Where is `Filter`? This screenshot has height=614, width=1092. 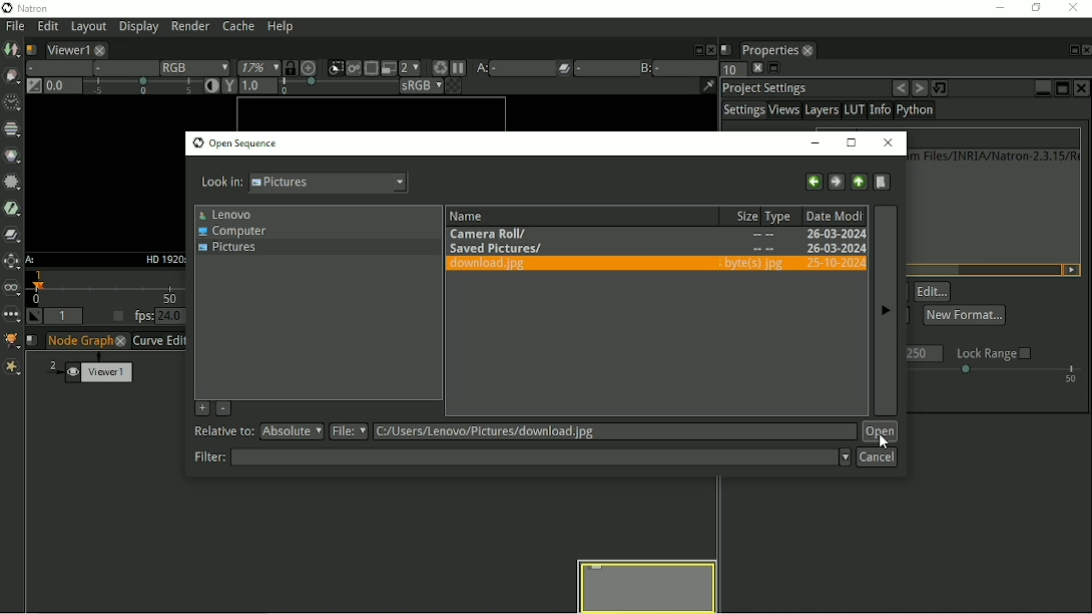 Filter is located at coordinates (520, 457).